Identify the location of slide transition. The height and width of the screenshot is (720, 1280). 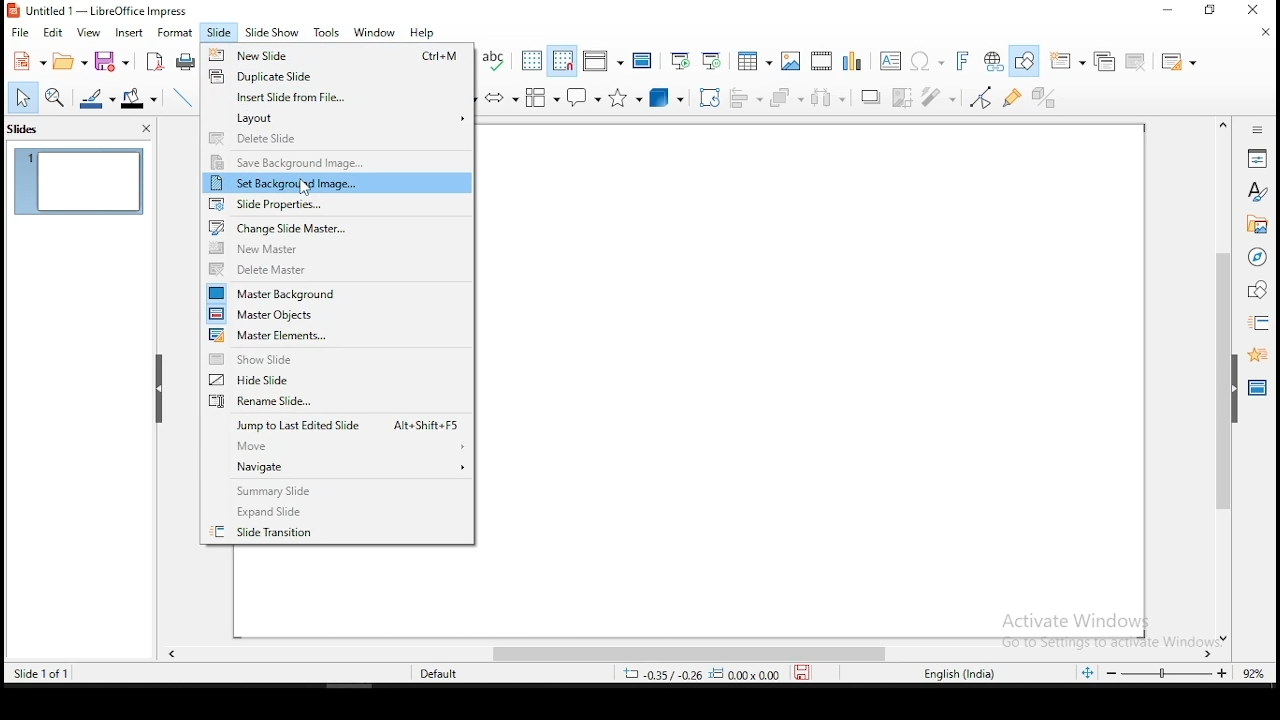
(1256, 325).